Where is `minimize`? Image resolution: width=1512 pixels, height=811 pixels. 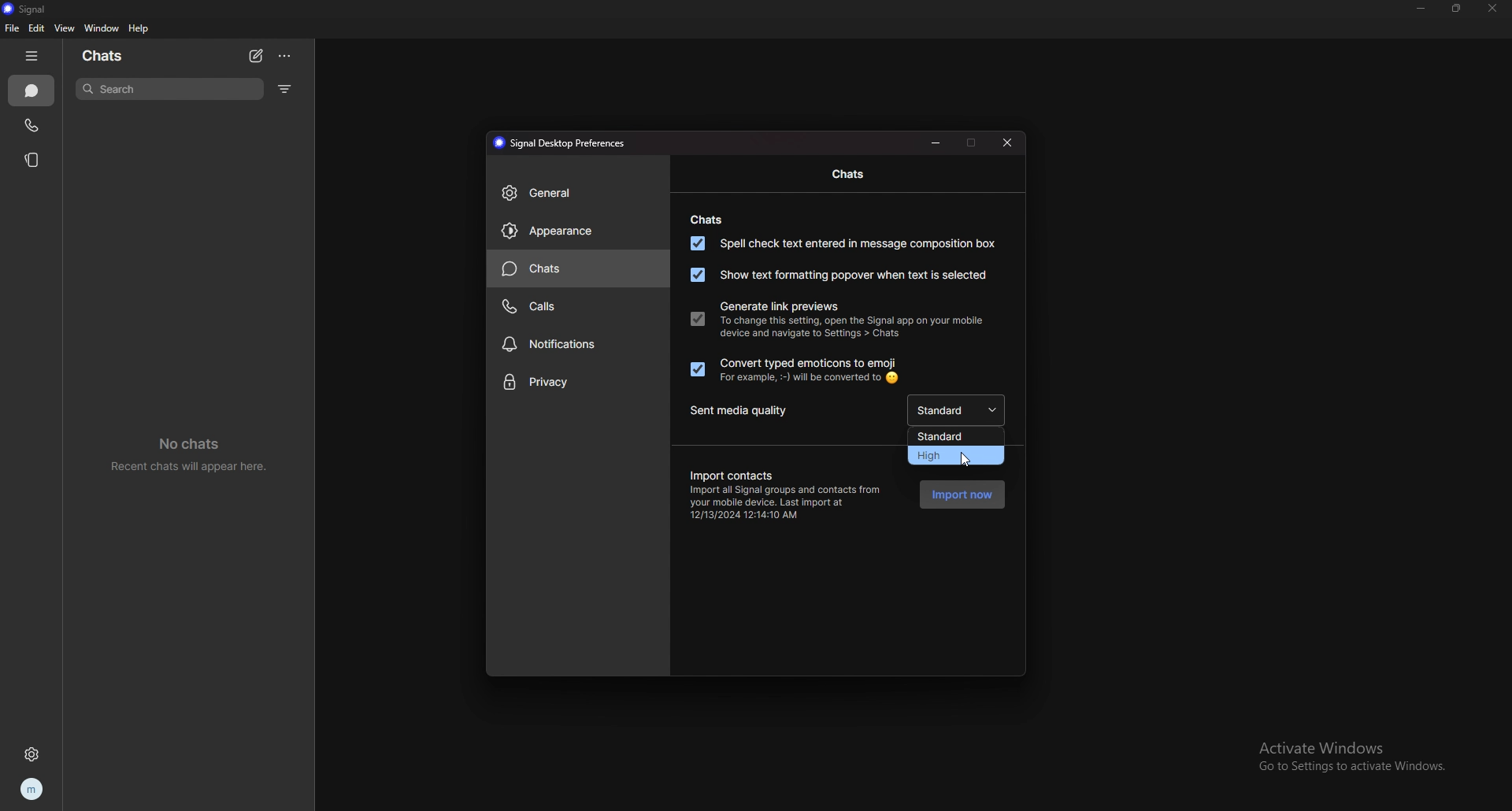 minimize is located at coordinates (936, 142).